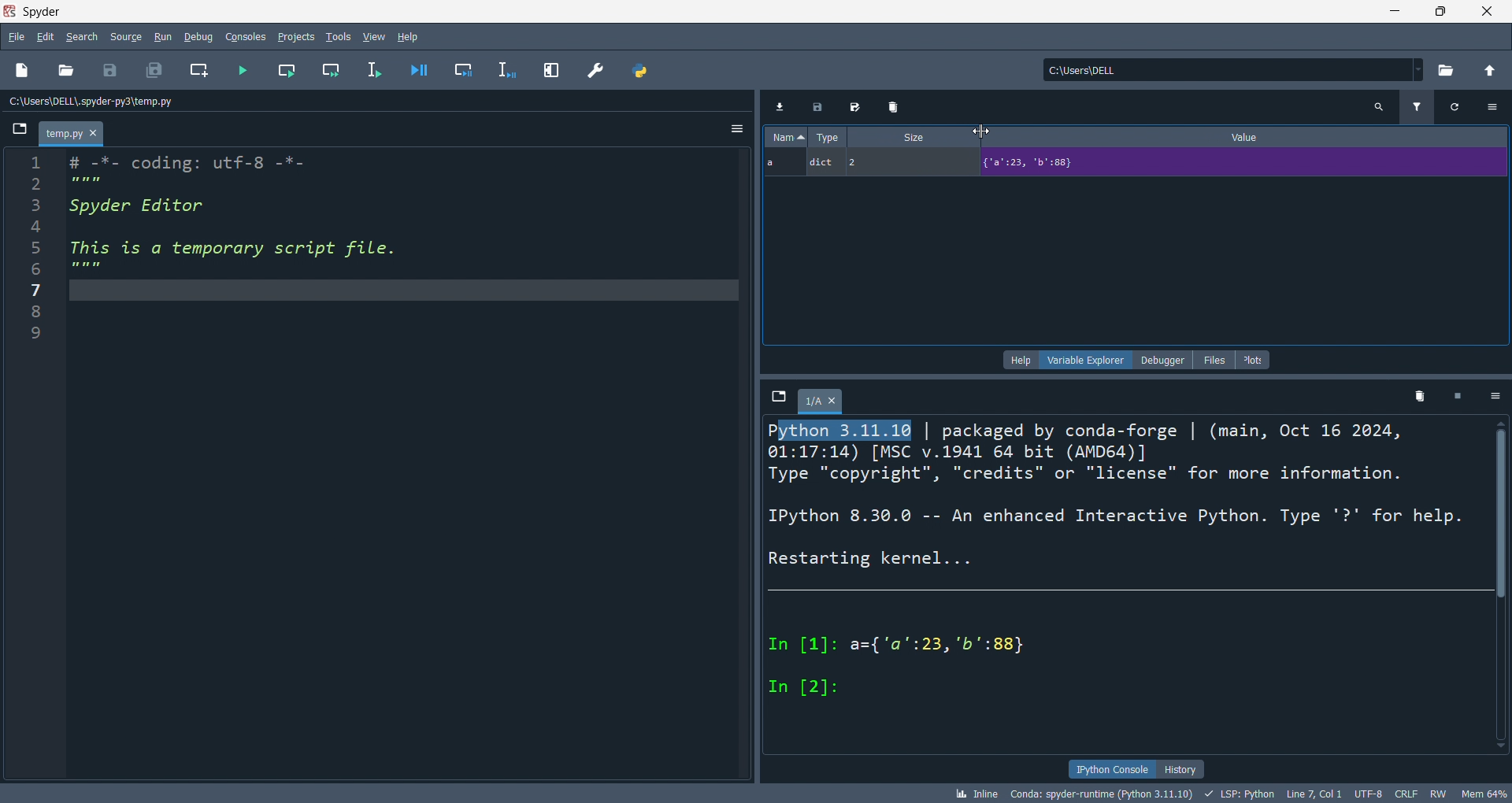 The image size is (1512, 803). Describe the element at coordinates (1441, 71) in the screenshot. I see `open directory` at that location.